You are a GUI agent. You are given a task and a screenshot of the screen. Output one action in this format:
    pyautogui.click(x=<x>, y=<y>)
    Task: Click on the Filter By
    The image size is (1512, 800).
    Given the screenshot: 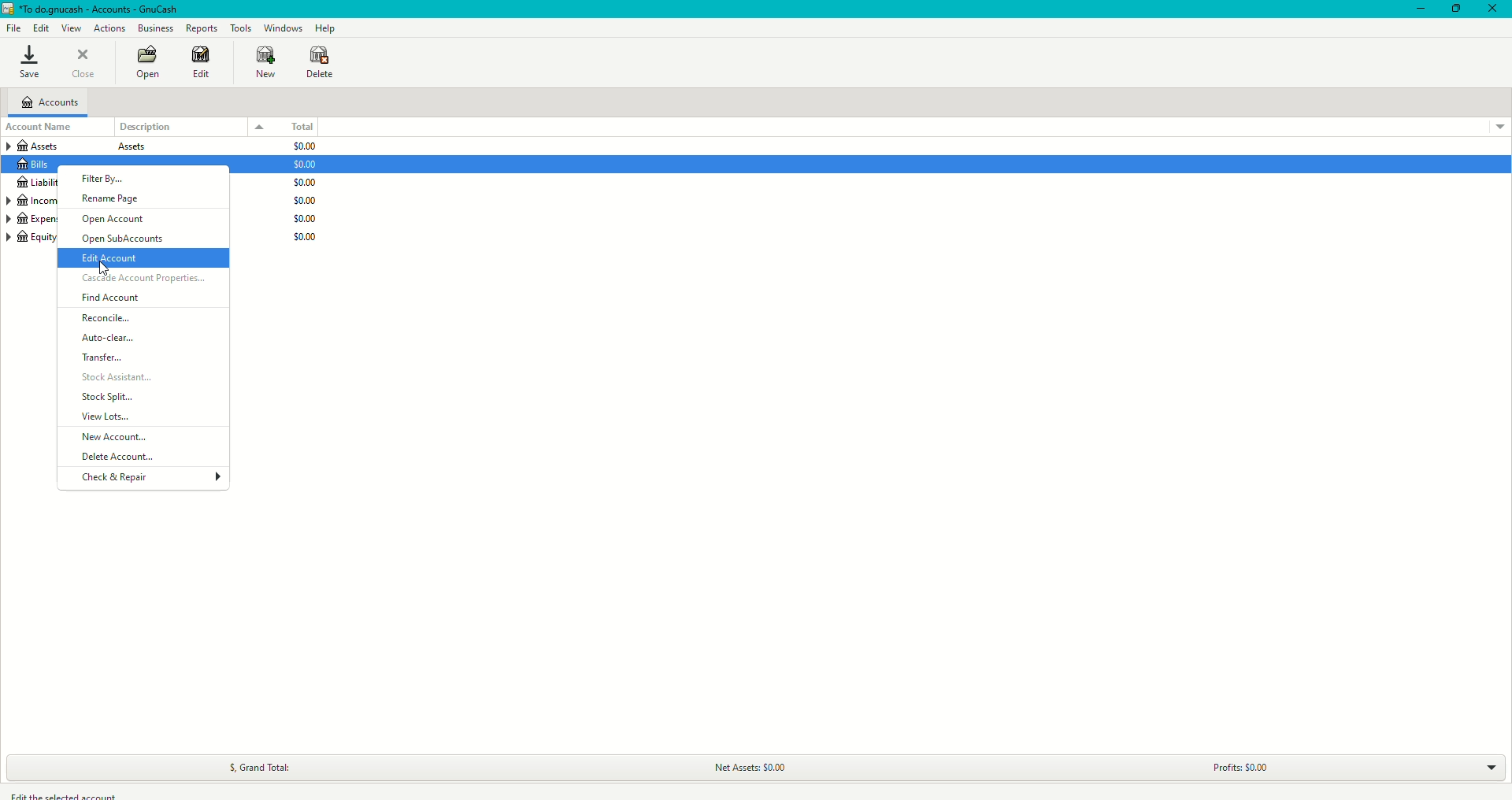 What is the action you would take?
    pyautogui.click(x=106, y=177)
    